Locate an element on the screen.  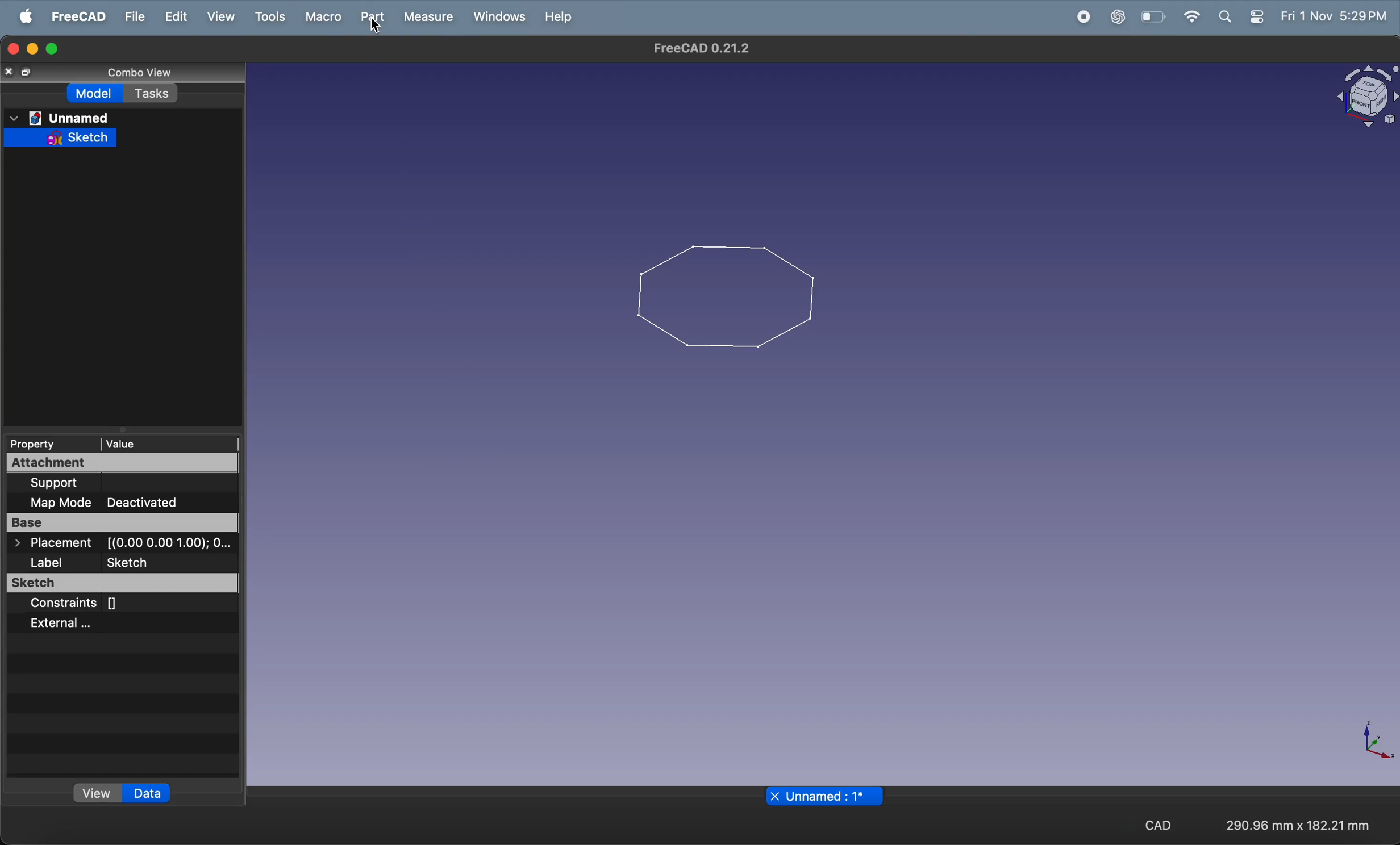
freecad title is located at coordinates (698, 49).